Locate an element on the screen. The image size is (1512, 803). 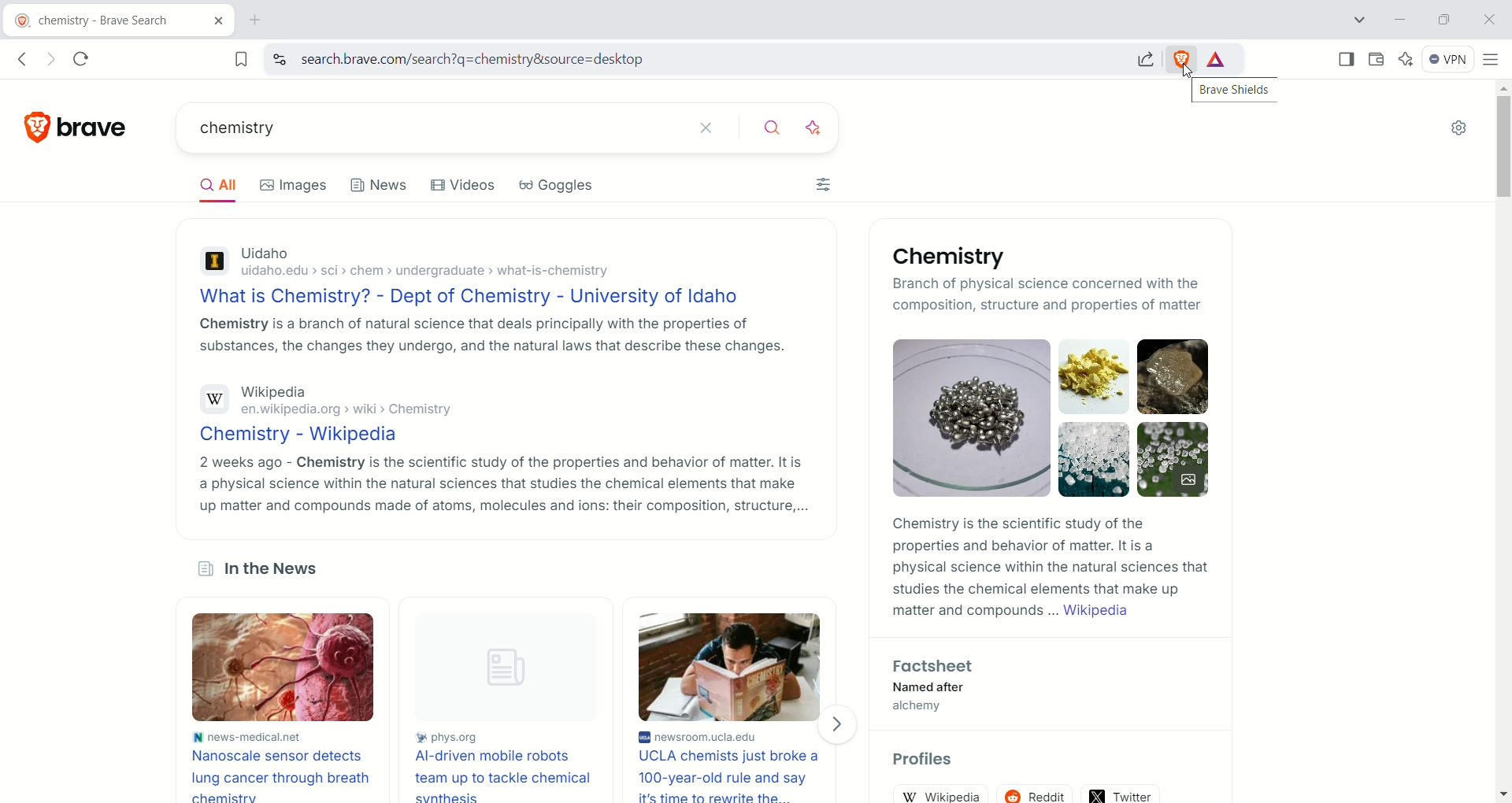
click to go forward, hold to see history is located at coordinates (50, 58).